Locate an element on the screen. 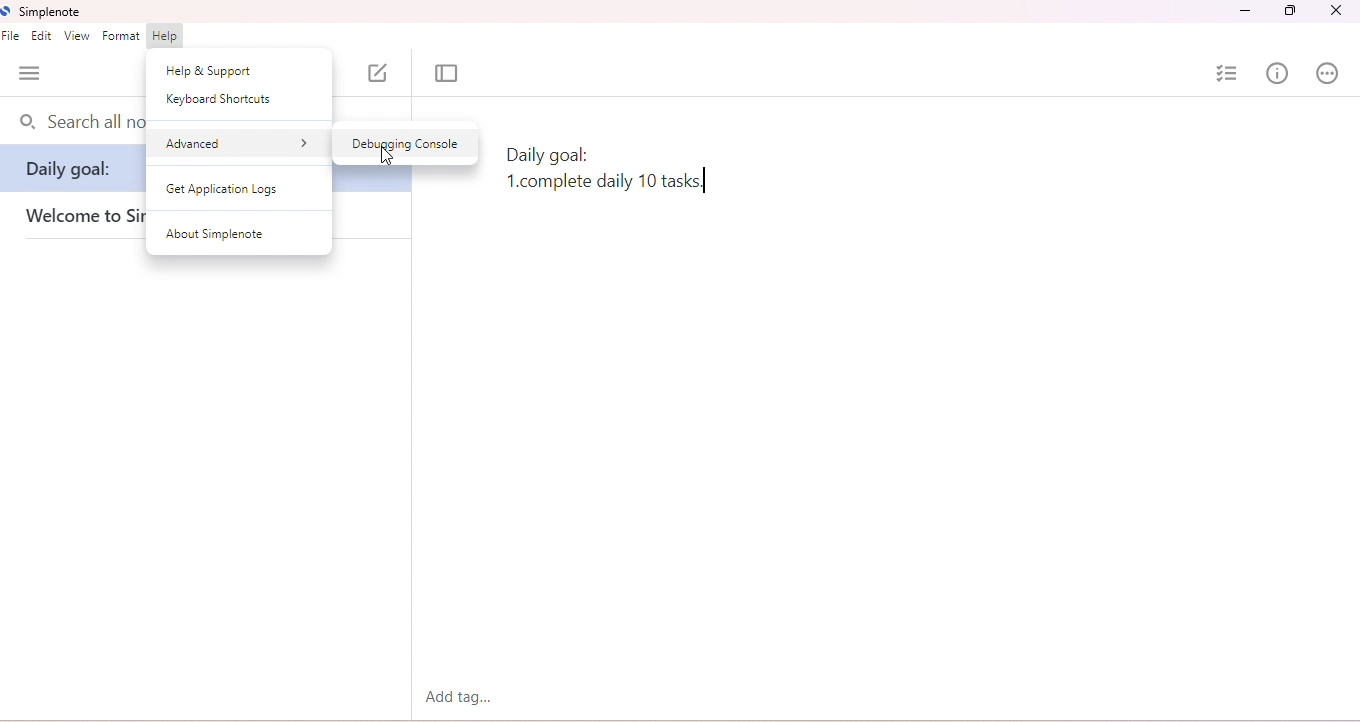 The width and height of the screenshot is (1360, 722). menu is located at coordinates (30, 74).